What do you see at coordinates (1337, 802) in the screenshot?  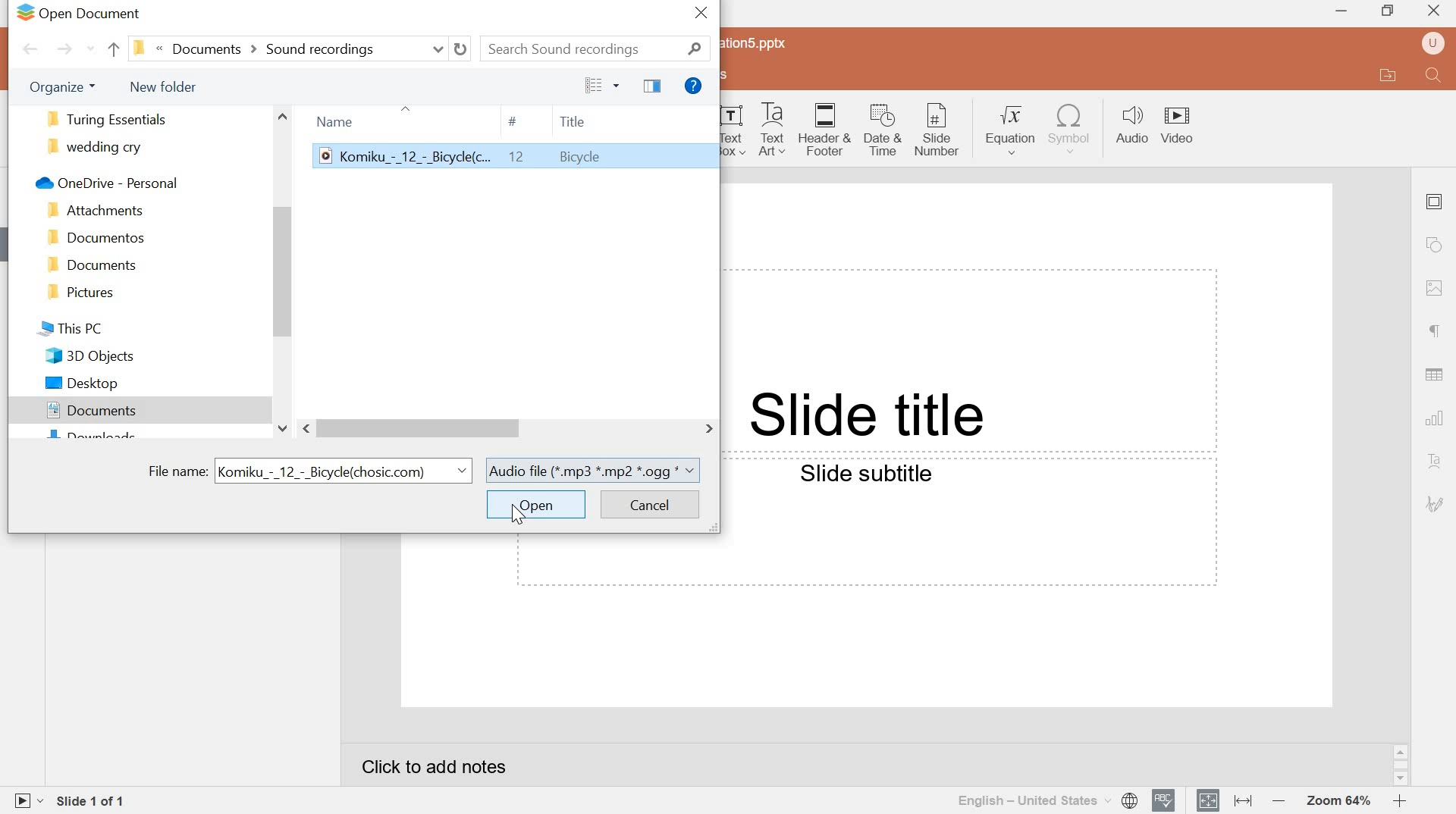 I see `Zoom` at bounding box center [1337, 802].